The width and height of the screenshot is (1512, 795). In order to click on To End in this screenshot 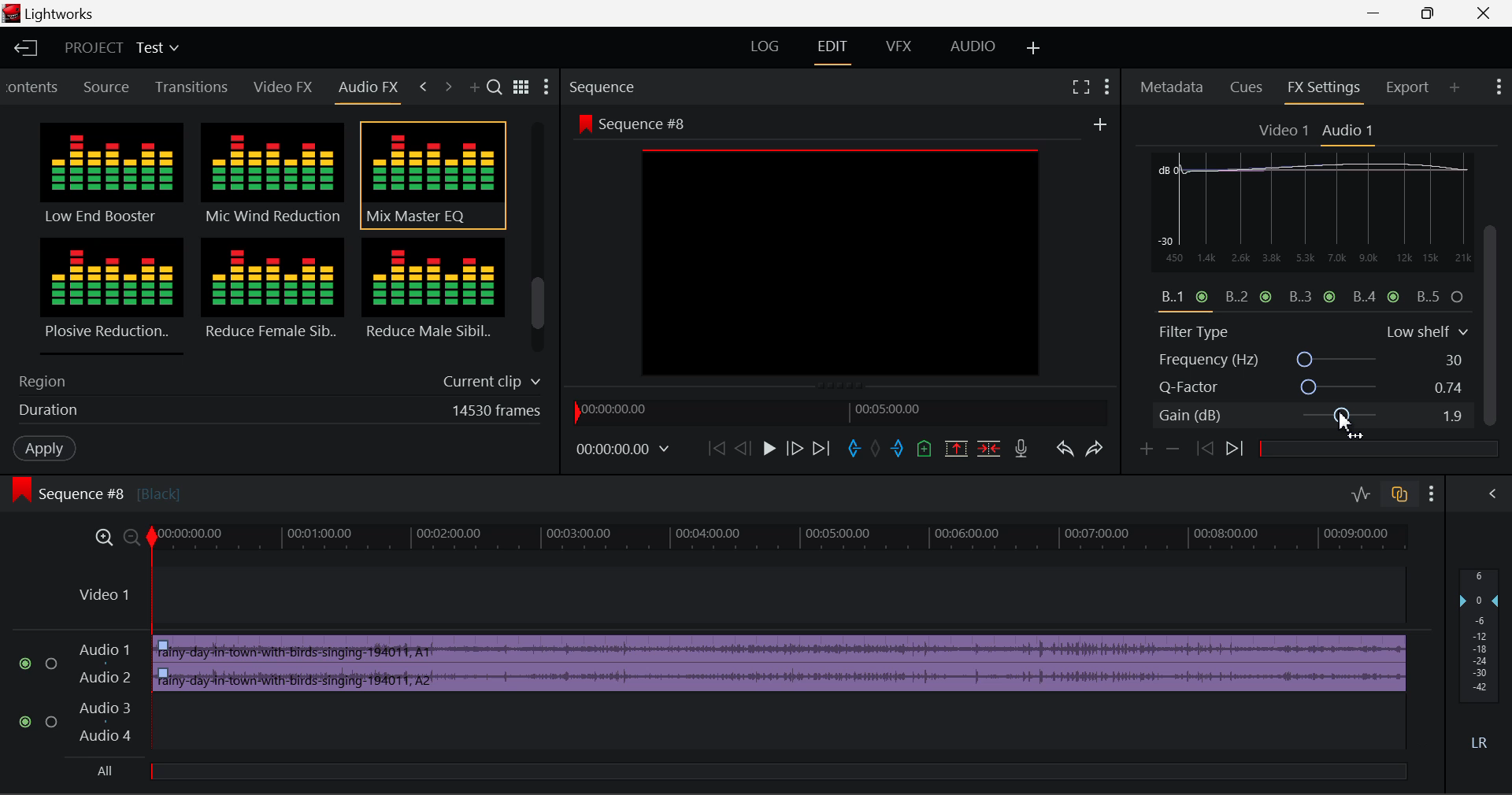, I will do `click(825, 450)`.